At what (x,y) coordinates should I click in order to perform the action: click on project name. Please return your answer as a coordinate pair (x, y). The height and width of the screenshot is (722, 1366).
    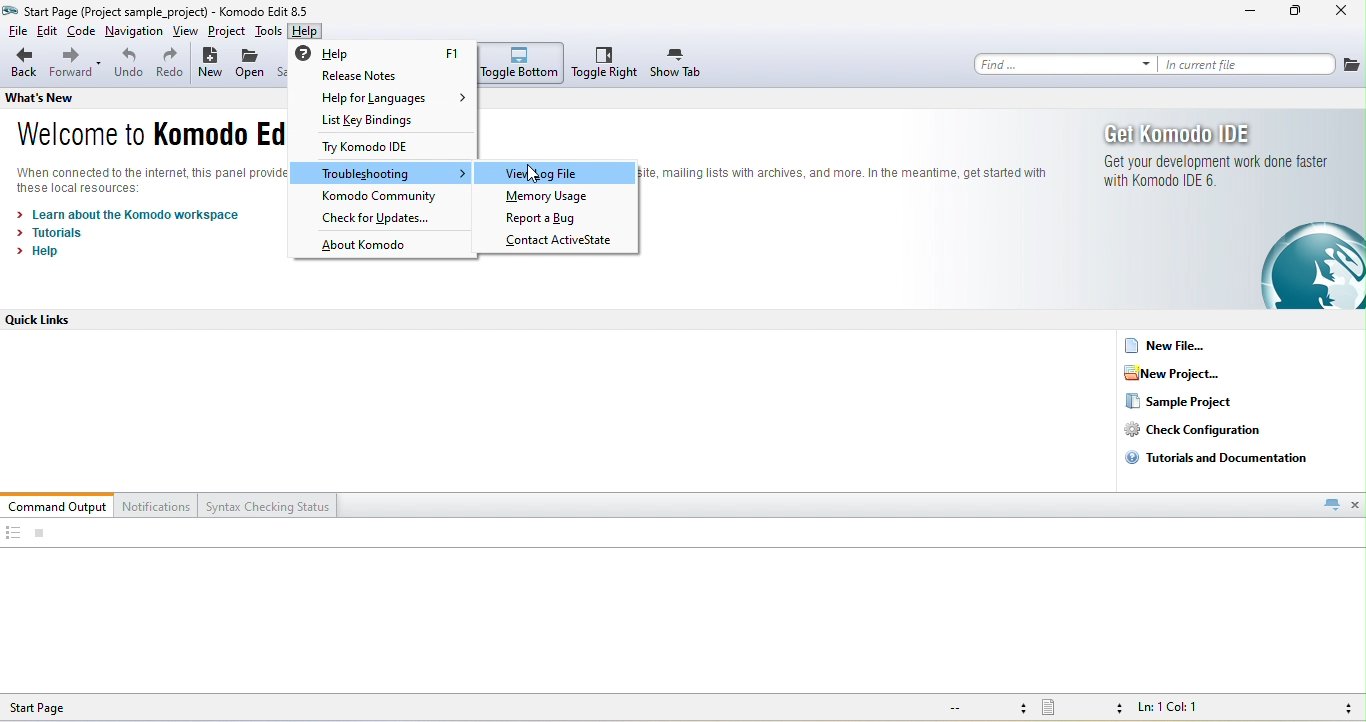
    Looking at the image, I should click on (117, 10).